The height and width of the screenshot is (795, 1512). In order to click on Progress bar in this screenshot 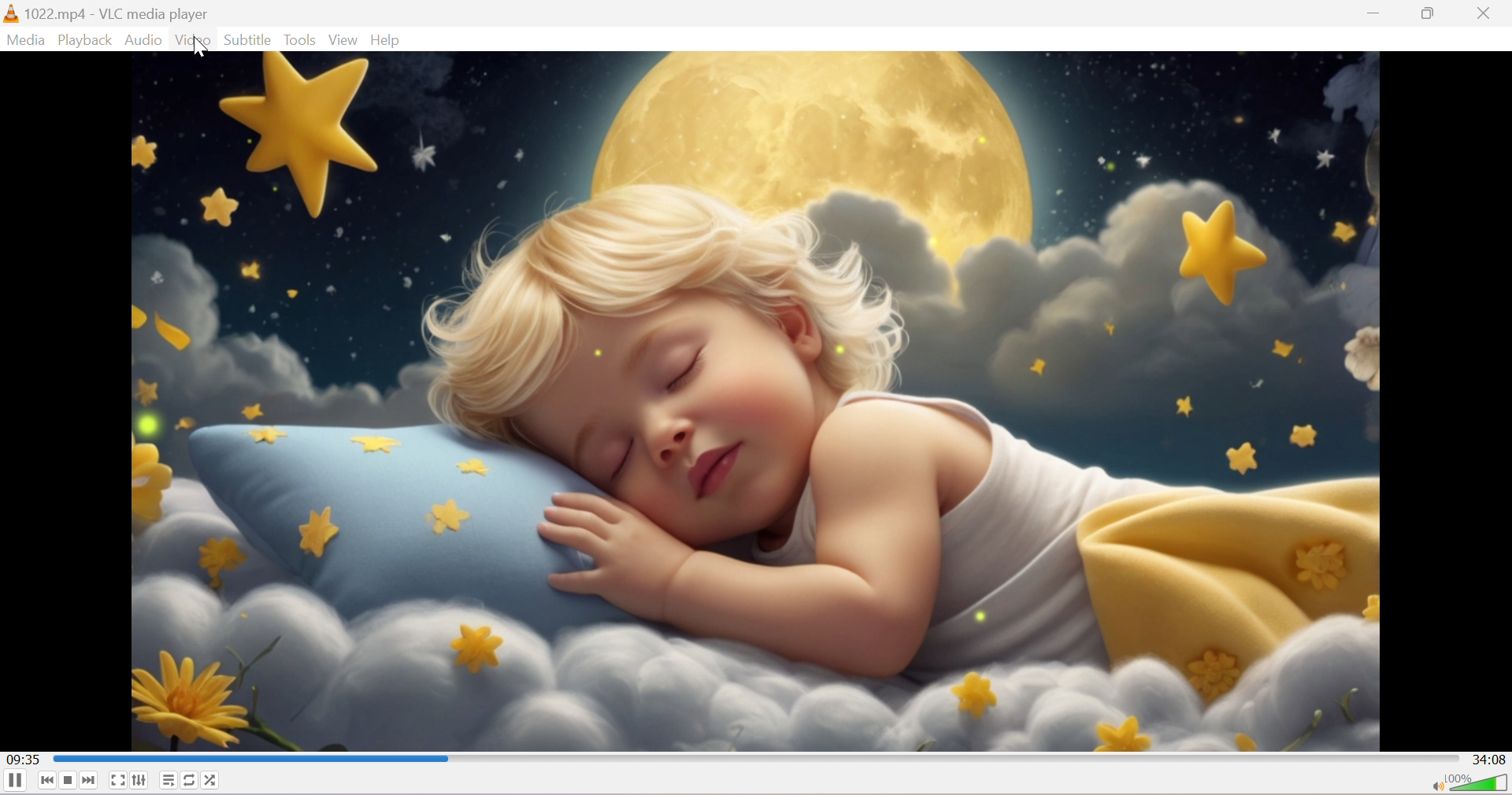, I will do `click(754, 758)`.